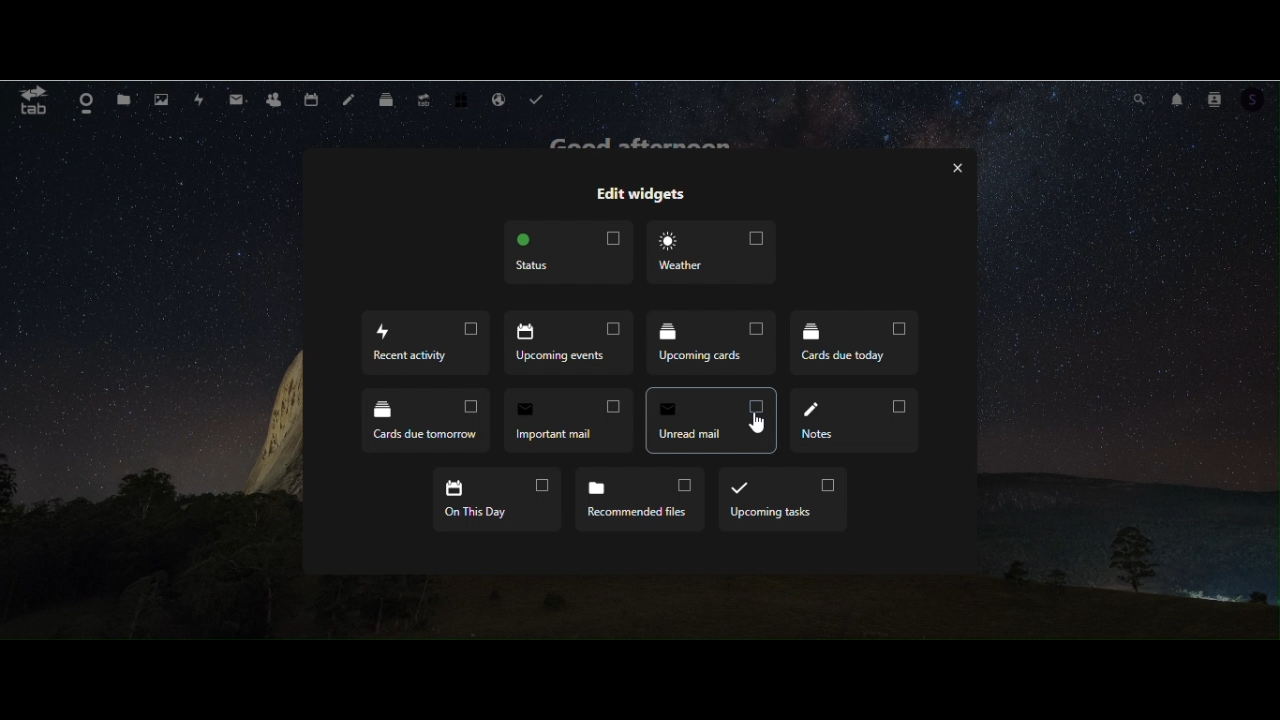 This screenshot has width=1280, height=720. Describe the element at coordinates (463, 97) in the screenshot. I see `free trail` at that location.